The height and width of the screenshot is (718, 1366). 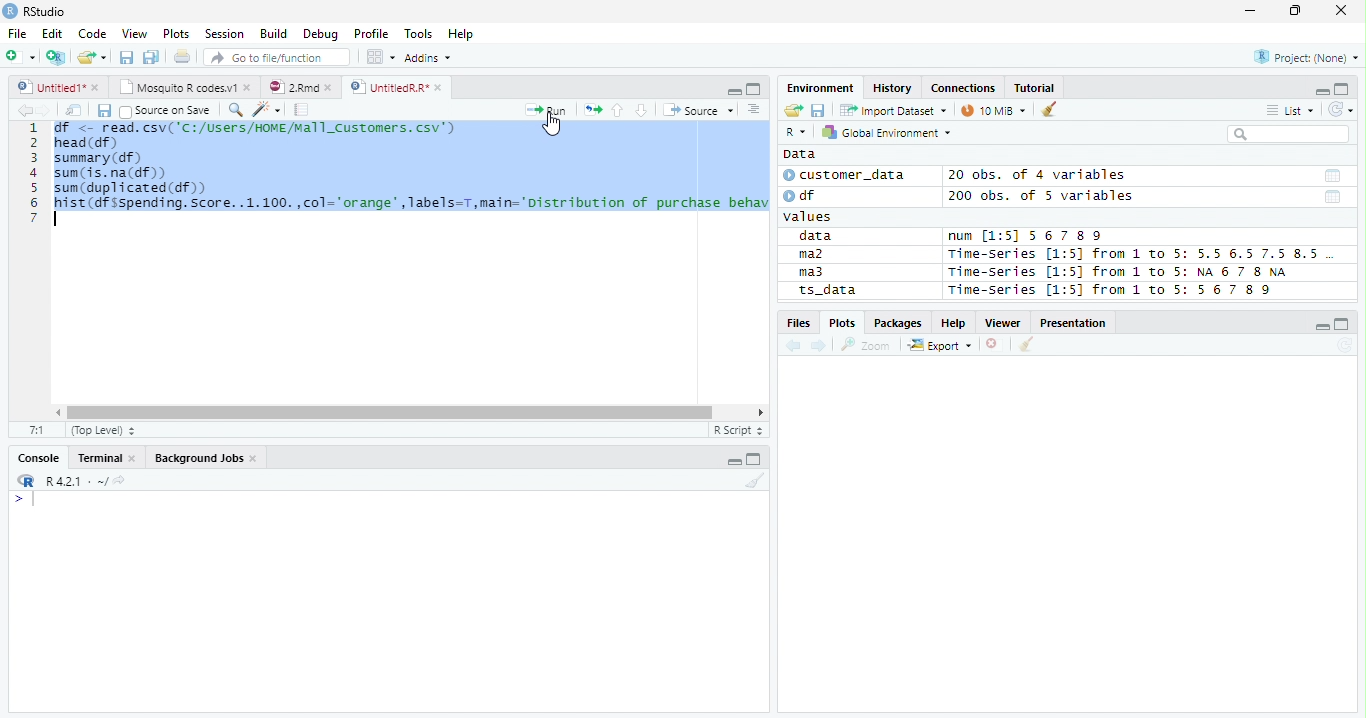 What do you see at coordinates (1006, 323) in the screenshot?
I see `Viewer` at bounding box center [1006, 323].